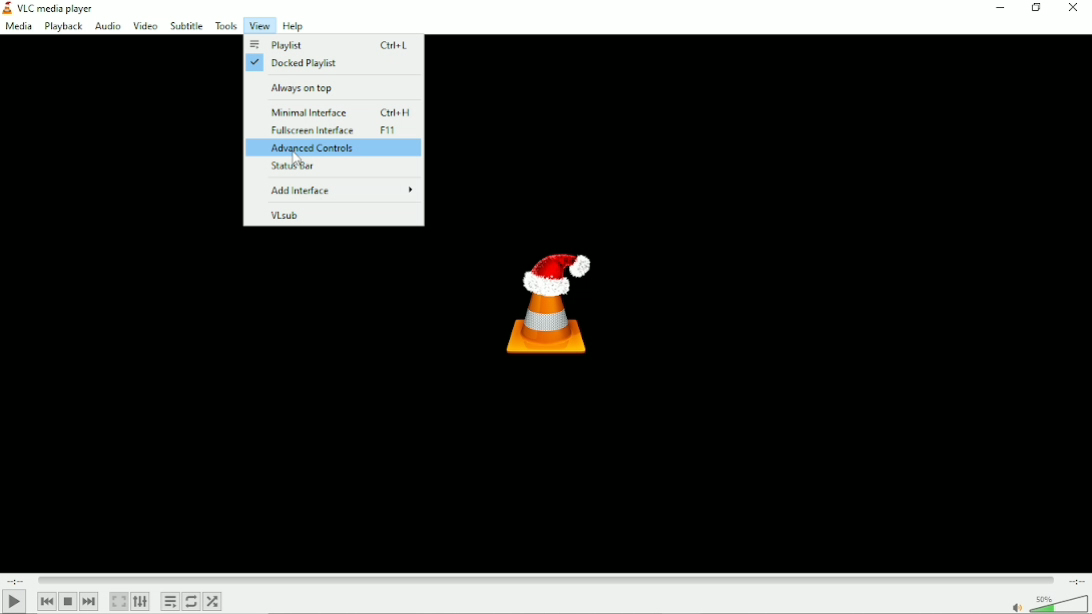 The image size is (1092, 614). I want to click on Total duration, so click(1076, 580).